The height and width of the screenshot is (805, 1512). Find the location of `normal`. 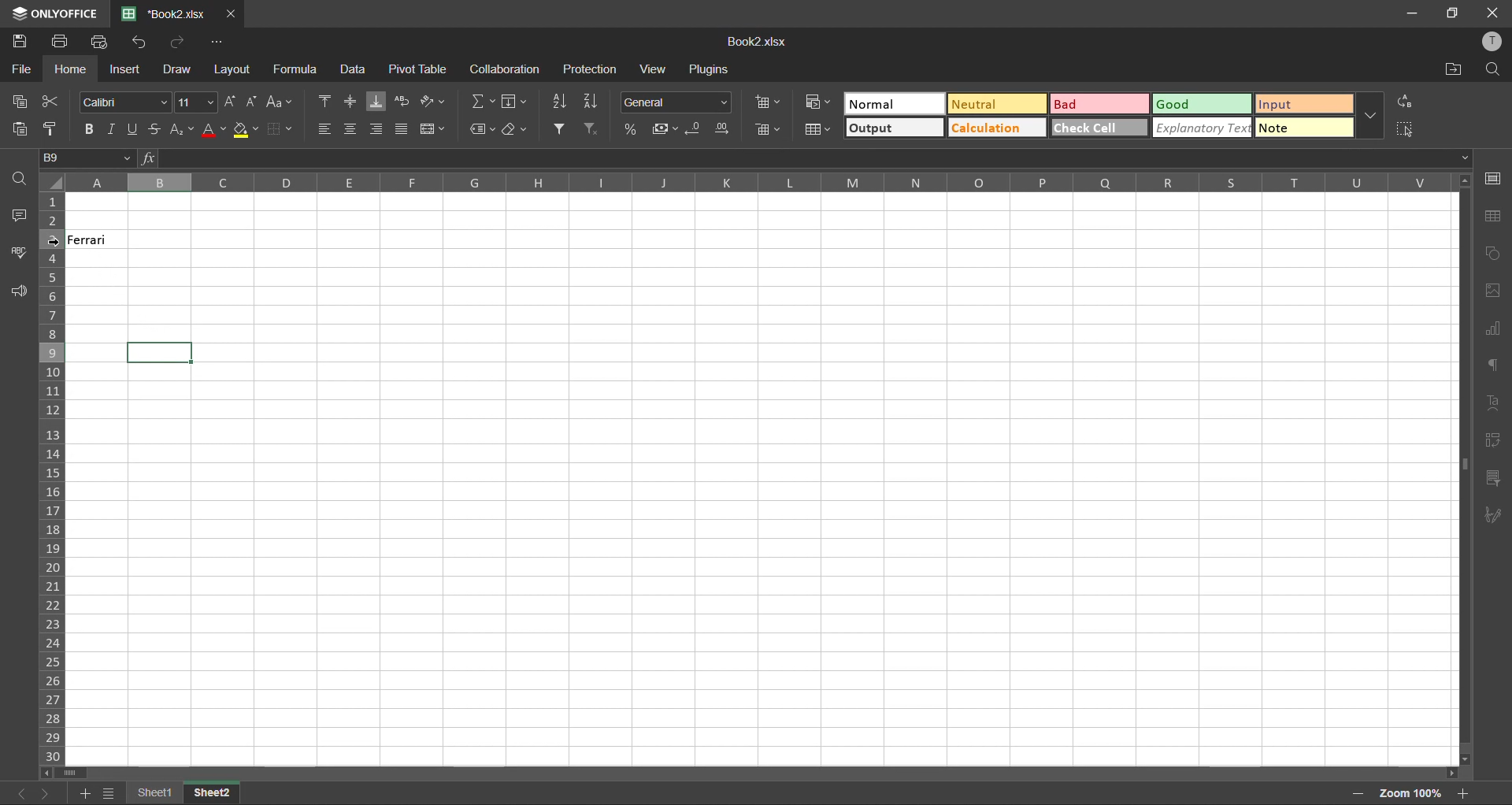

normal is located at coordinates (895, 105).